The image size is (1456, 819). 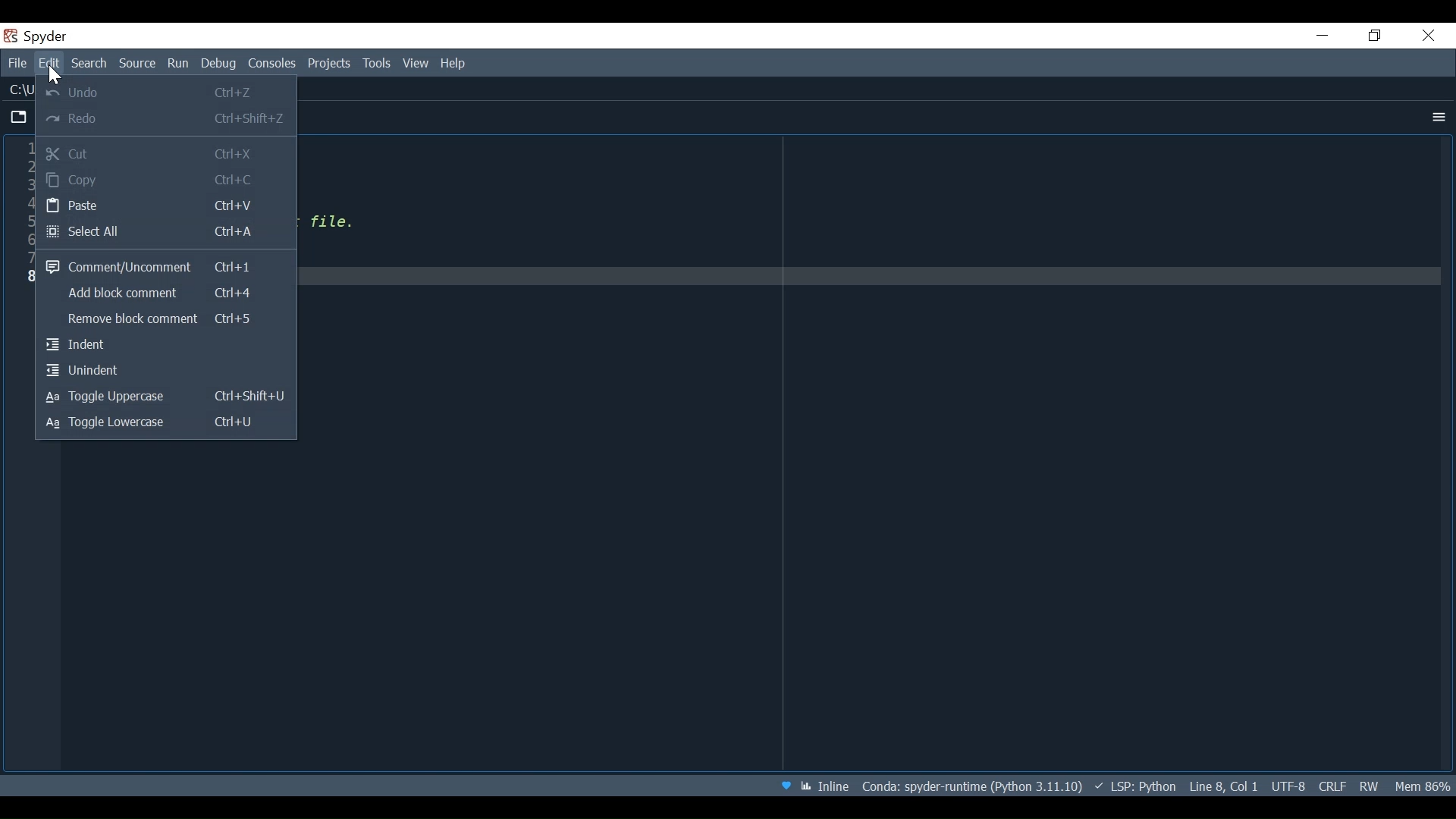 What do you see at coordinates (237, 232) in the screenshot?
I see `Ctrl+A` at bounding box center [237, 232].